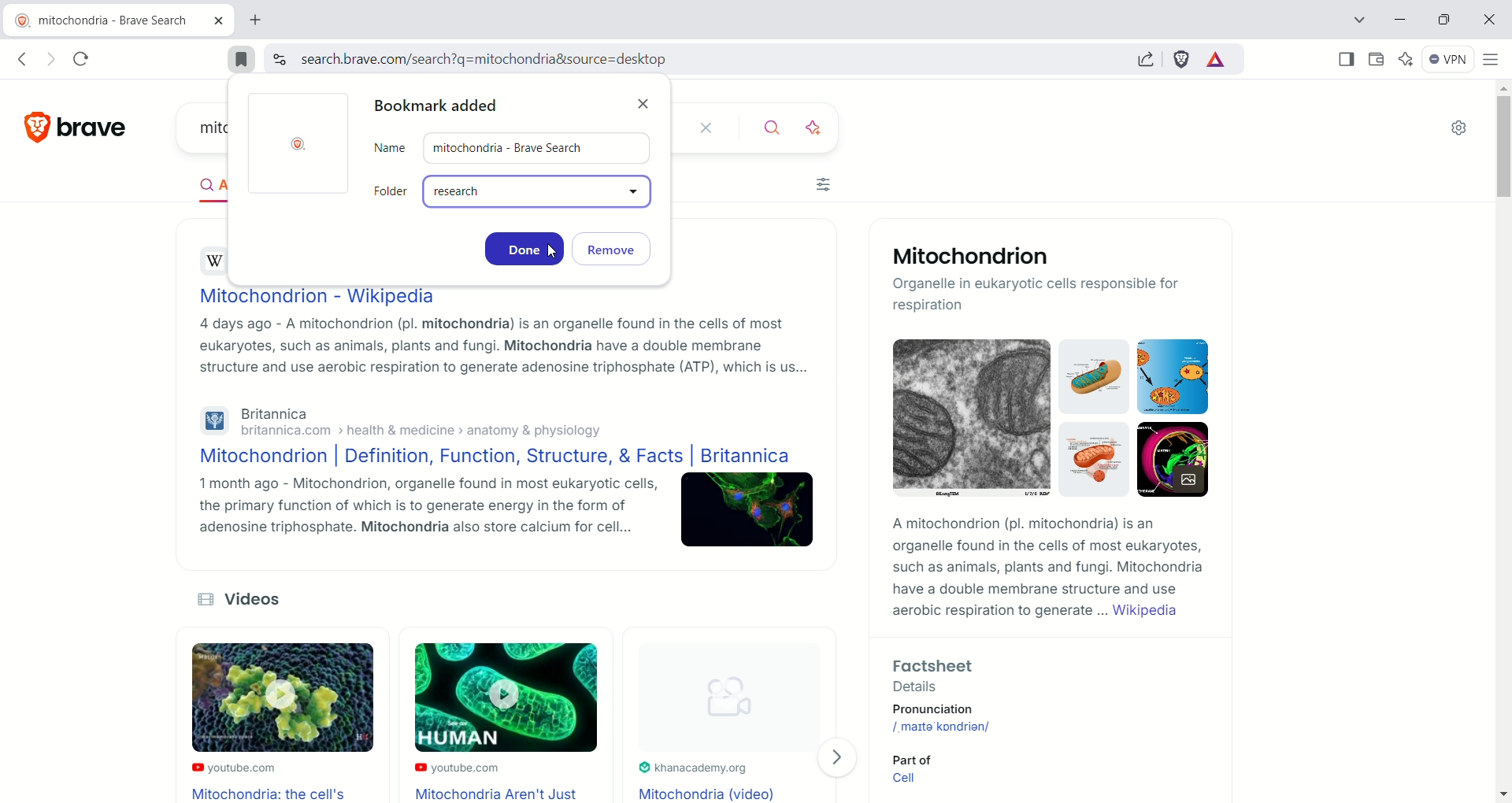 The image size is (1512, 803). What do you see at coordinates (95, 124) in the screenshot?
I see `brave` at bounding box center [95, 124].